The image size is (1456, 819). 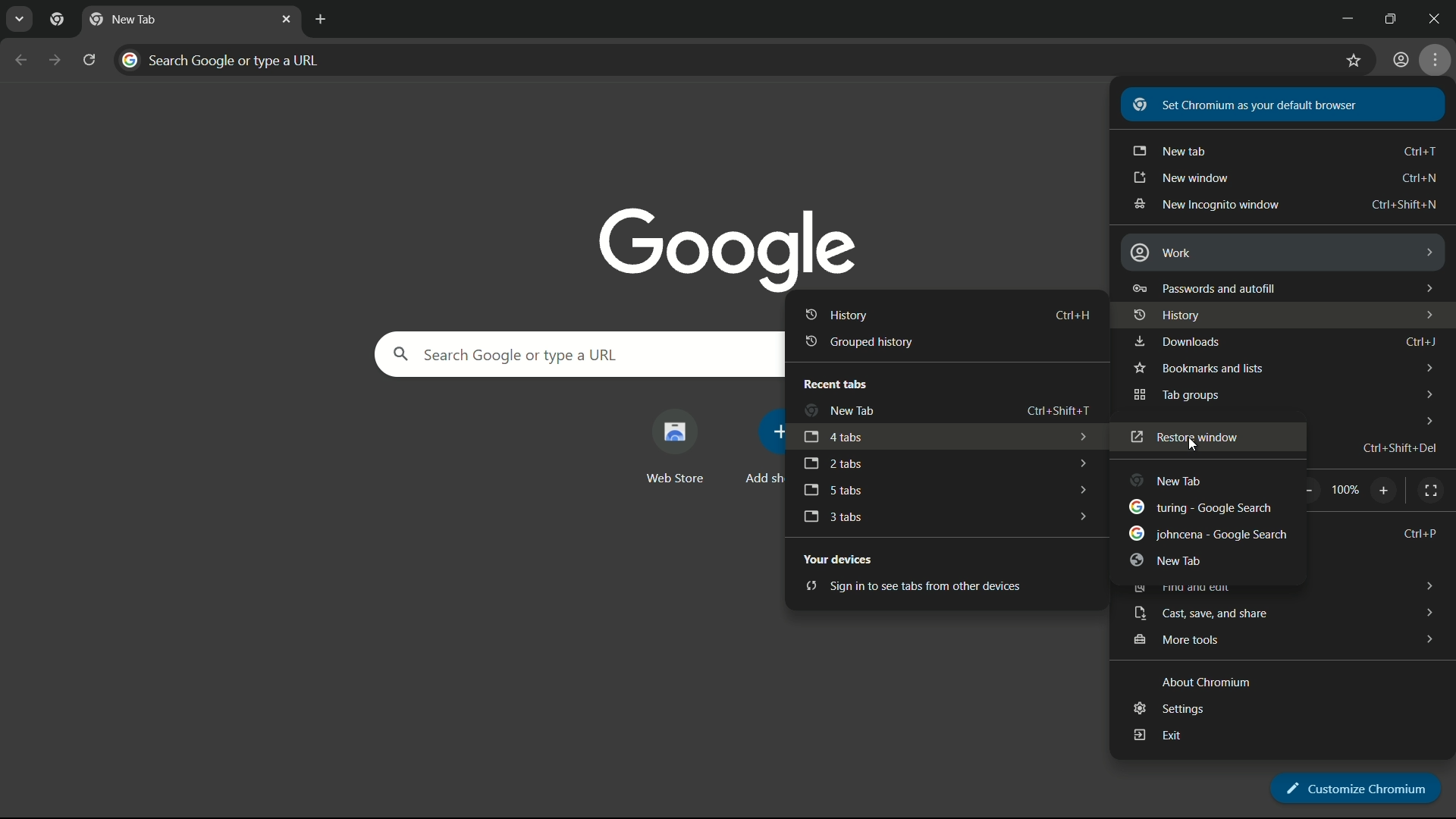 What do you see at coordinates (1080, 464) in the screenshot?
I see `dropdown arrows` at bounding box center [1080, 464].